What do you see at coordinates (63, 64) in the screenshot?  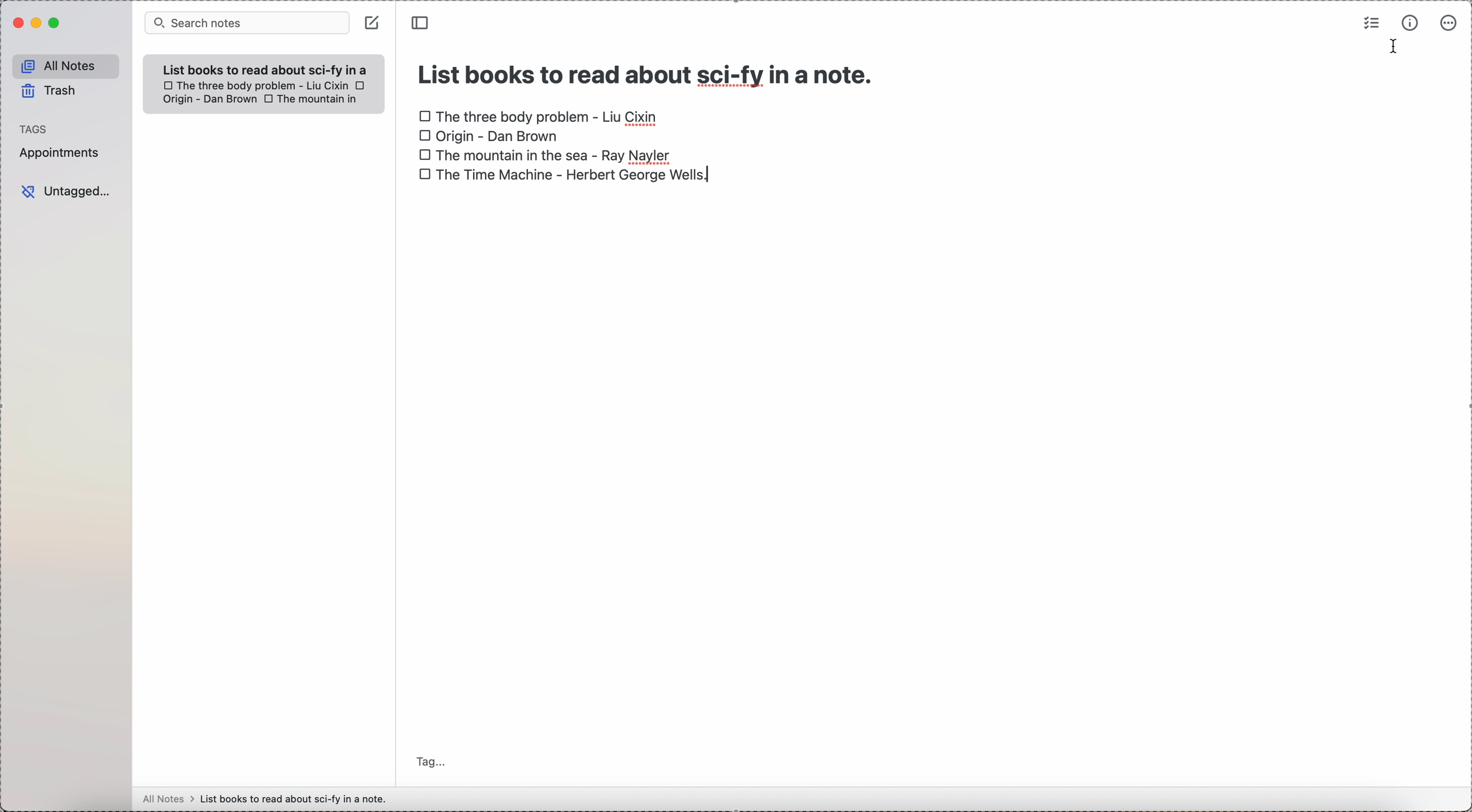 I see `all notes` at bounding box center [63, 64].